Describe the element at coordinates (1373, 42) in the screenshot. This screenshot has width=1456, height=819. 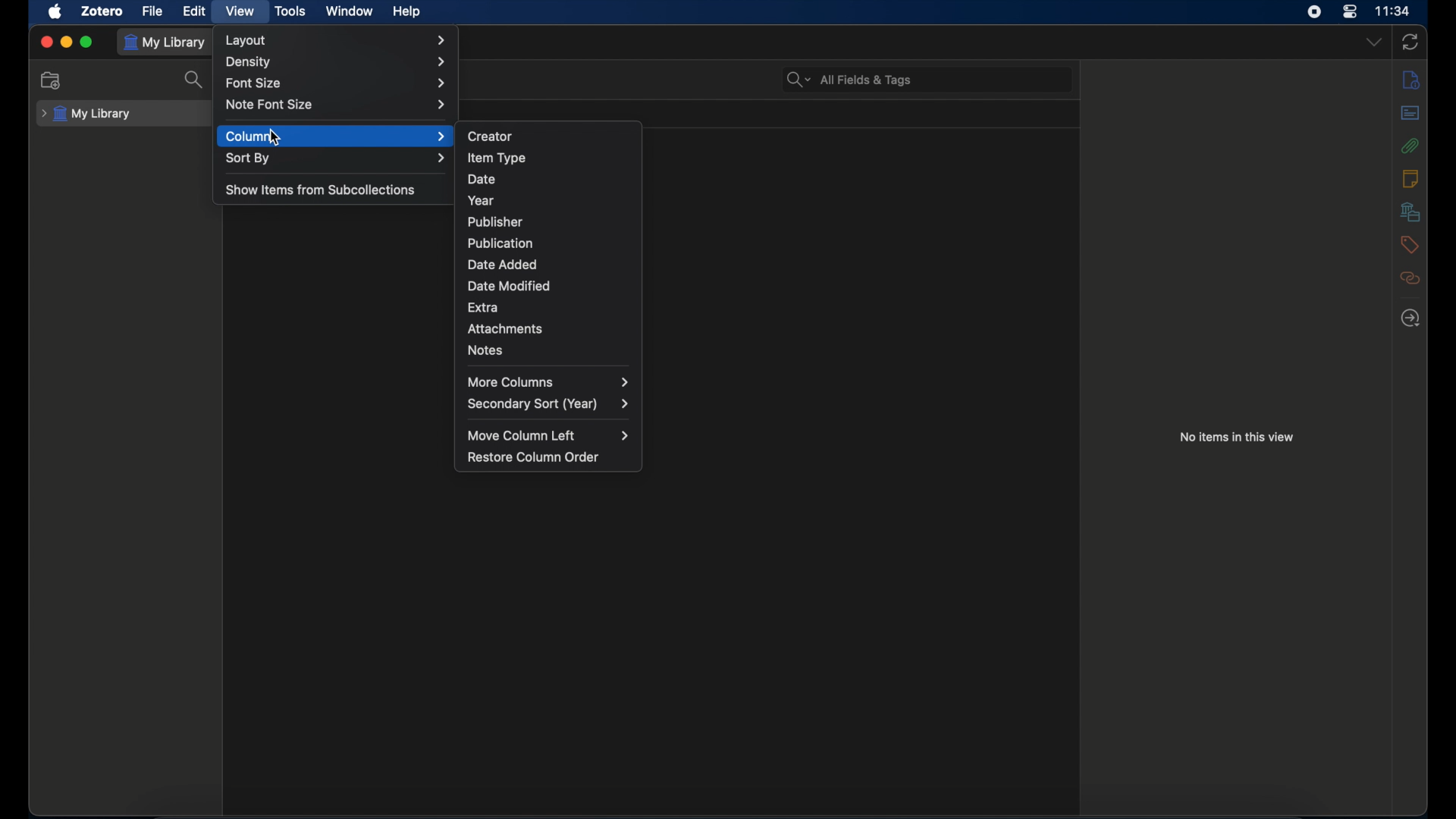
I see `dropdown` at that location.